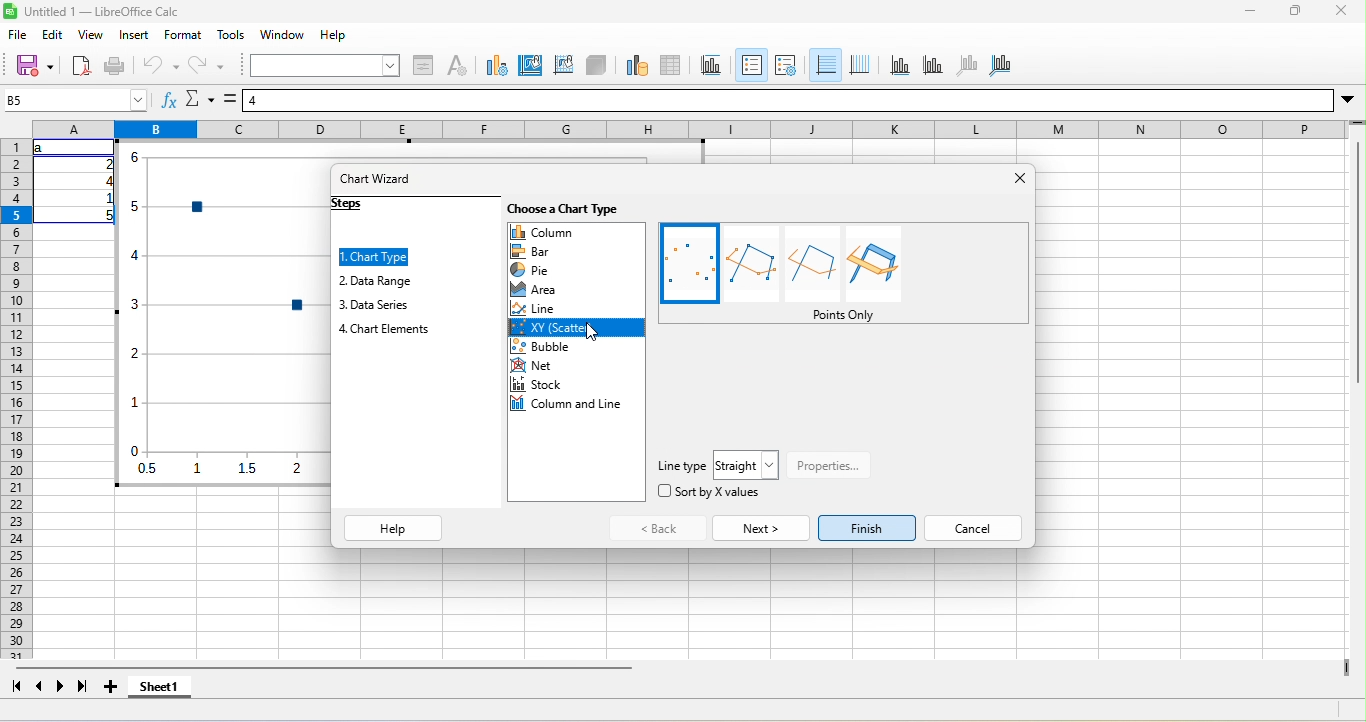 Image resolution: width=1366 pixels, height=722 pixels. I want to click on minimize, so click(1250, 11).